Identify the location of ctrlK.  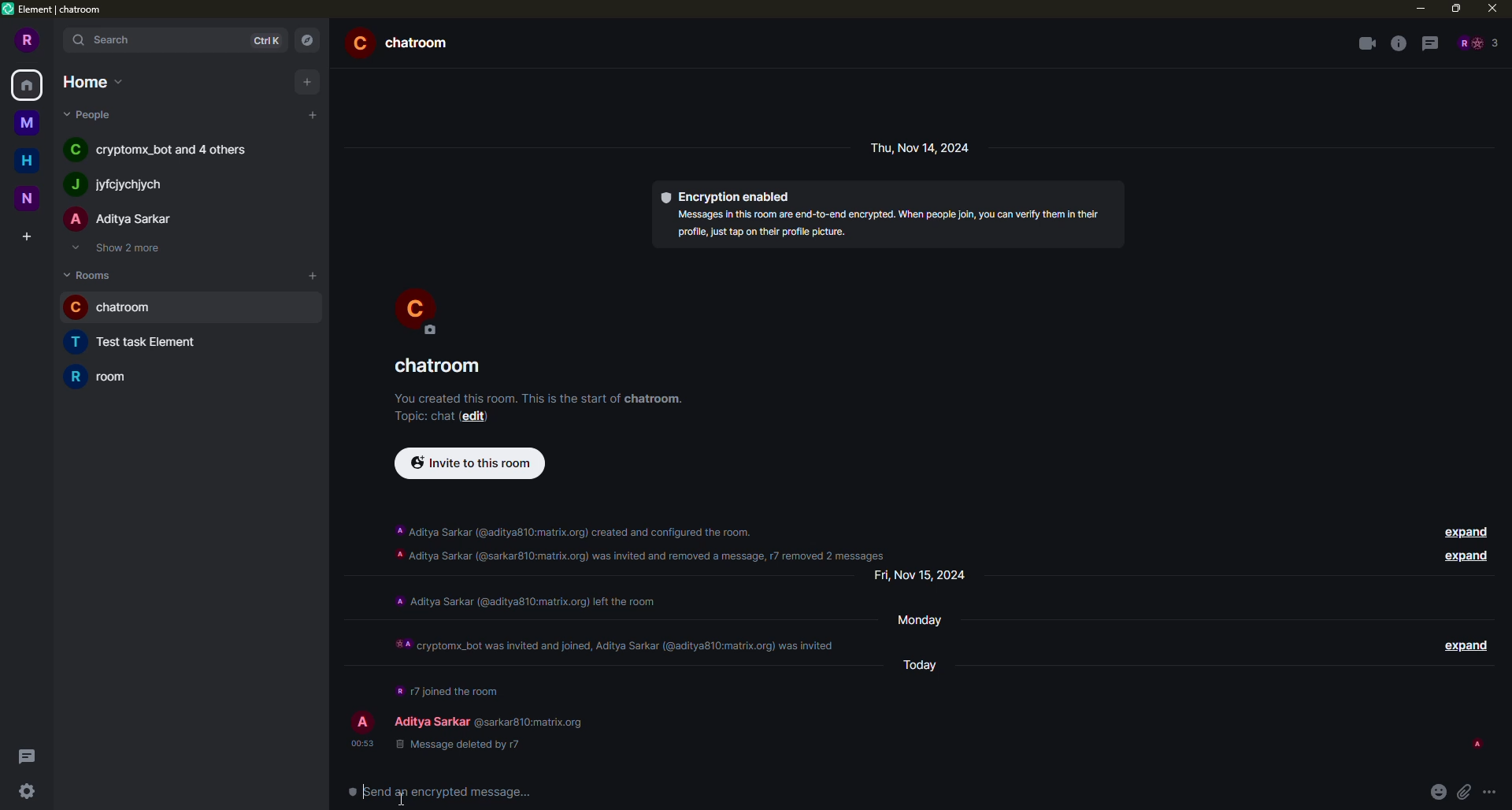
(263, 40).